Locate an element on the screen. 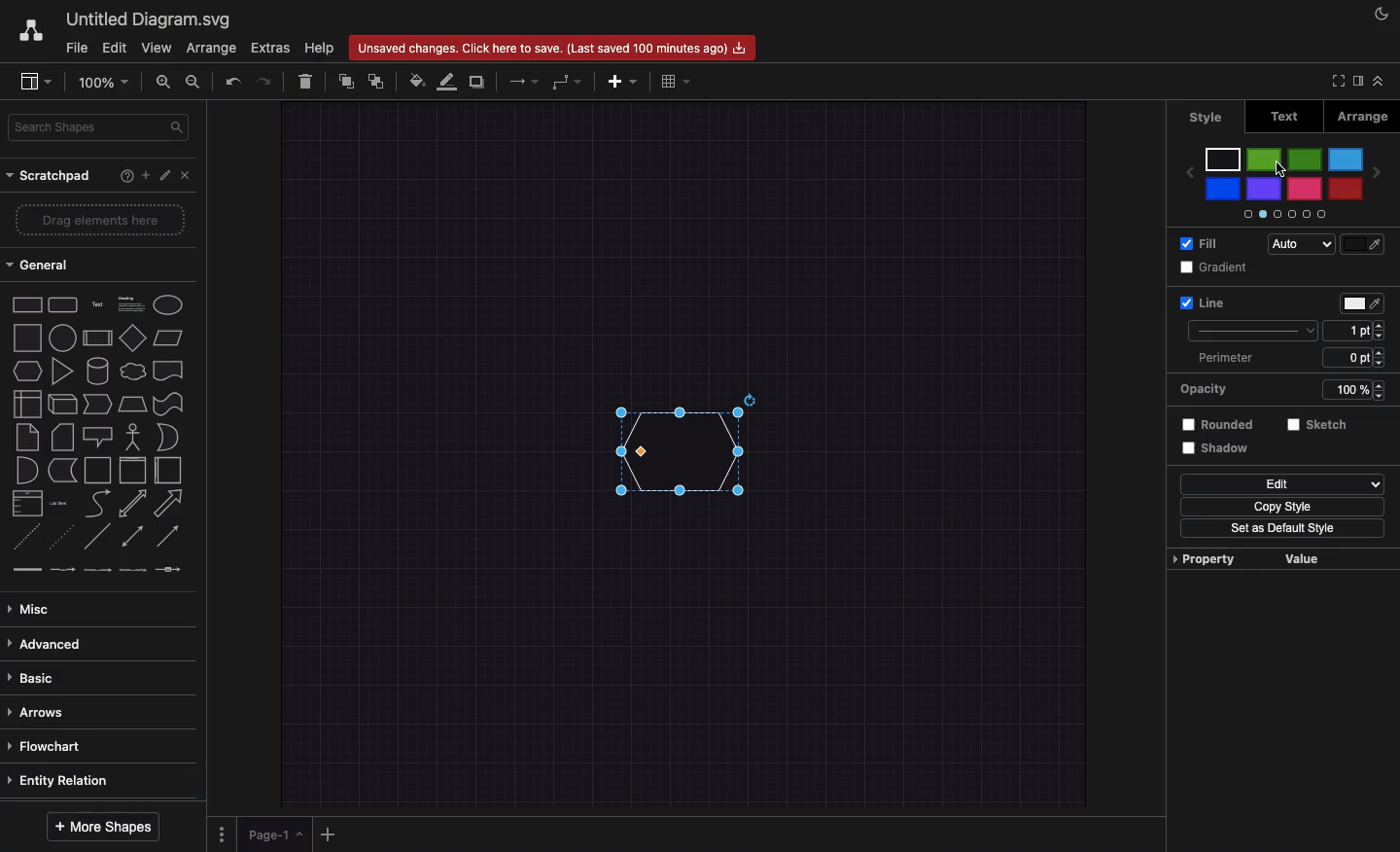 The width and height of the screenshot is (1400, 852). General  is located at coordinates (41, 263).